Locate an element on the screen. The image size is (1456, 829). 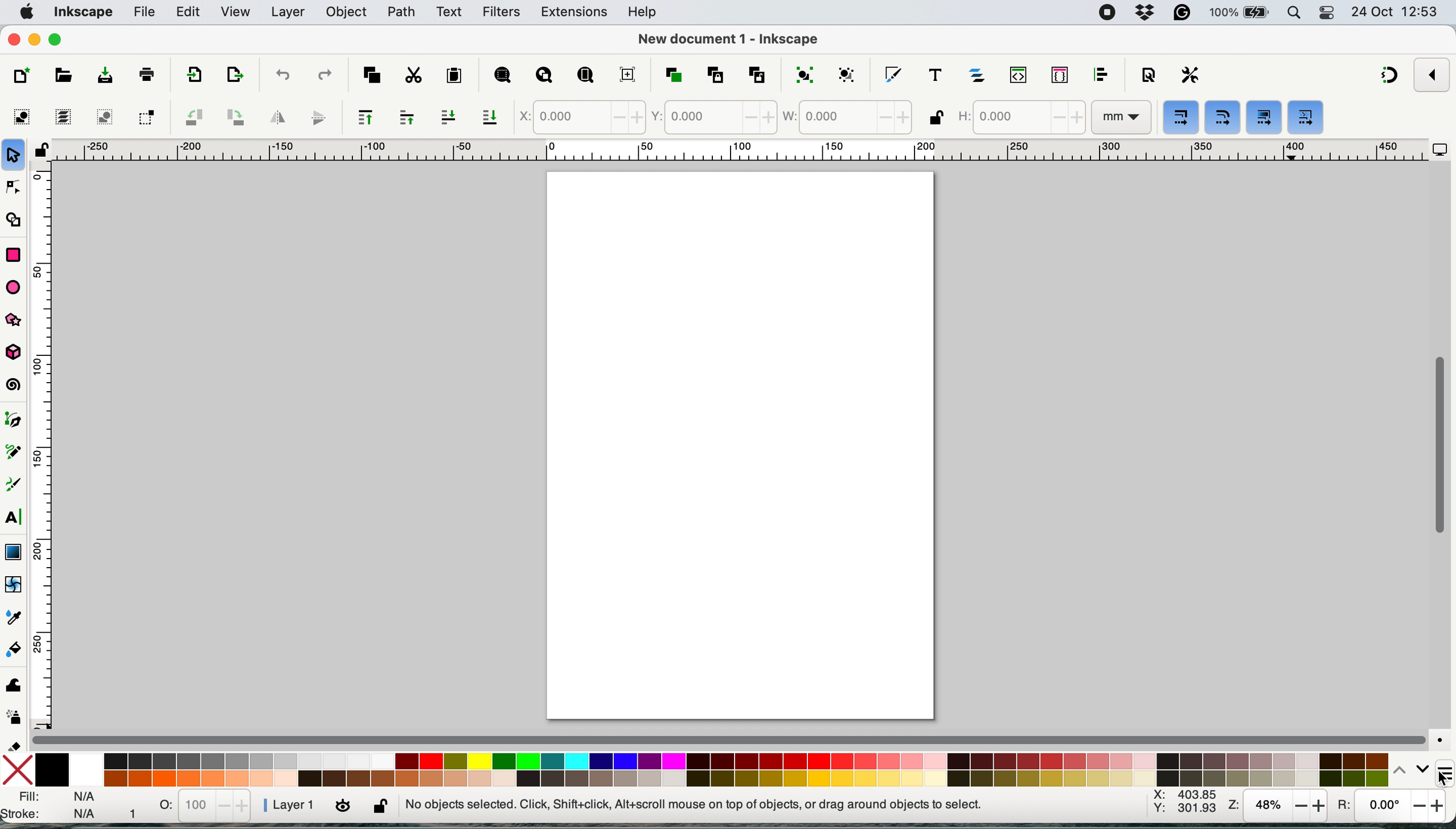
toggle selection to touch all selected objects is located at coordinates (144, 116).